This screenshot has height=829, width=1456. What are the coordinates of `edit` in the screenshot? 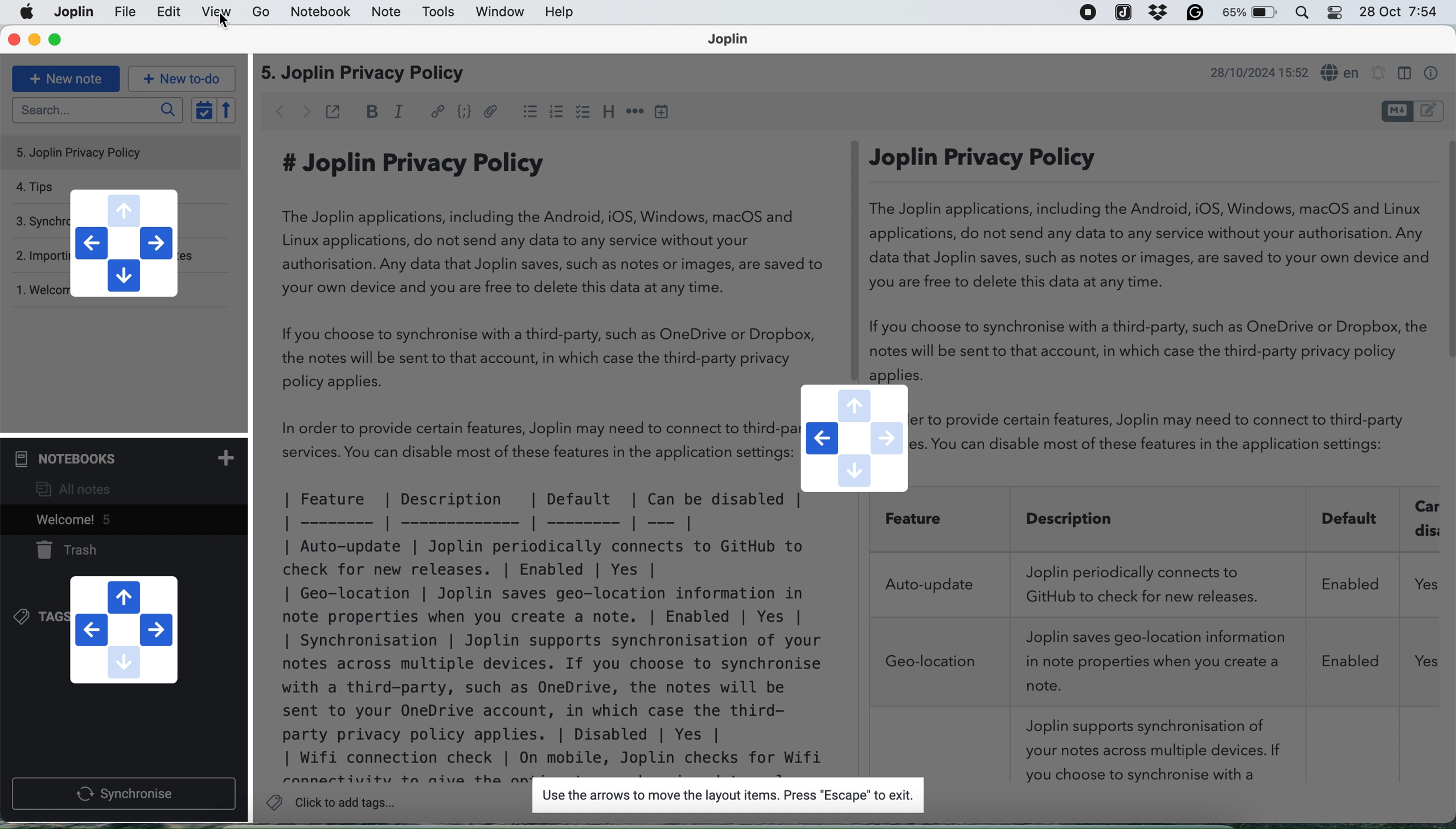 It's located at (169, 13).